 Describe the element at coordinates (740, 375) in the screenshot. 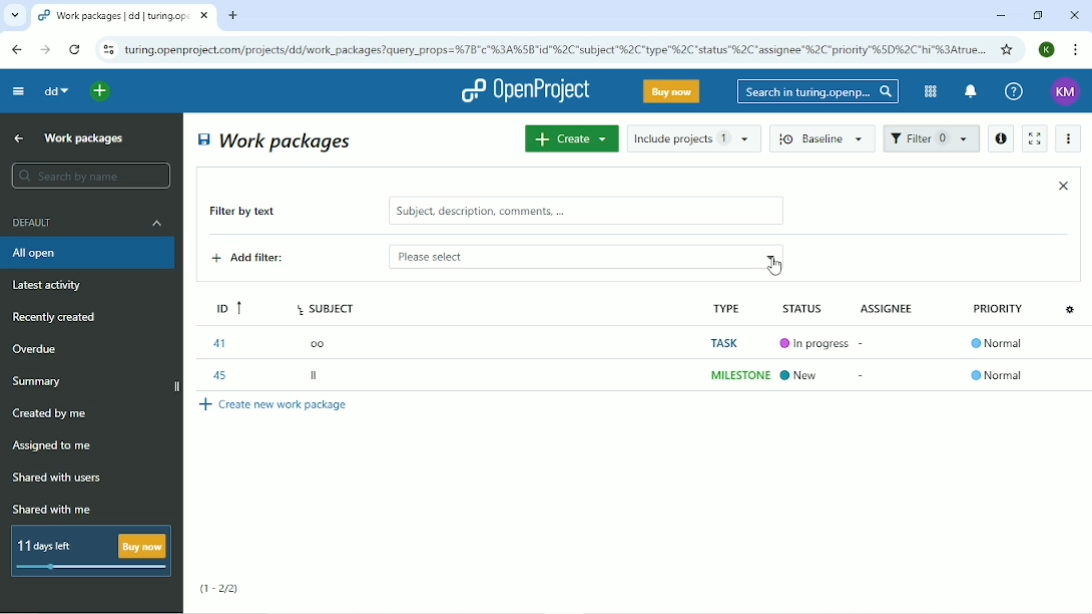

I see `Milestone` at that location.